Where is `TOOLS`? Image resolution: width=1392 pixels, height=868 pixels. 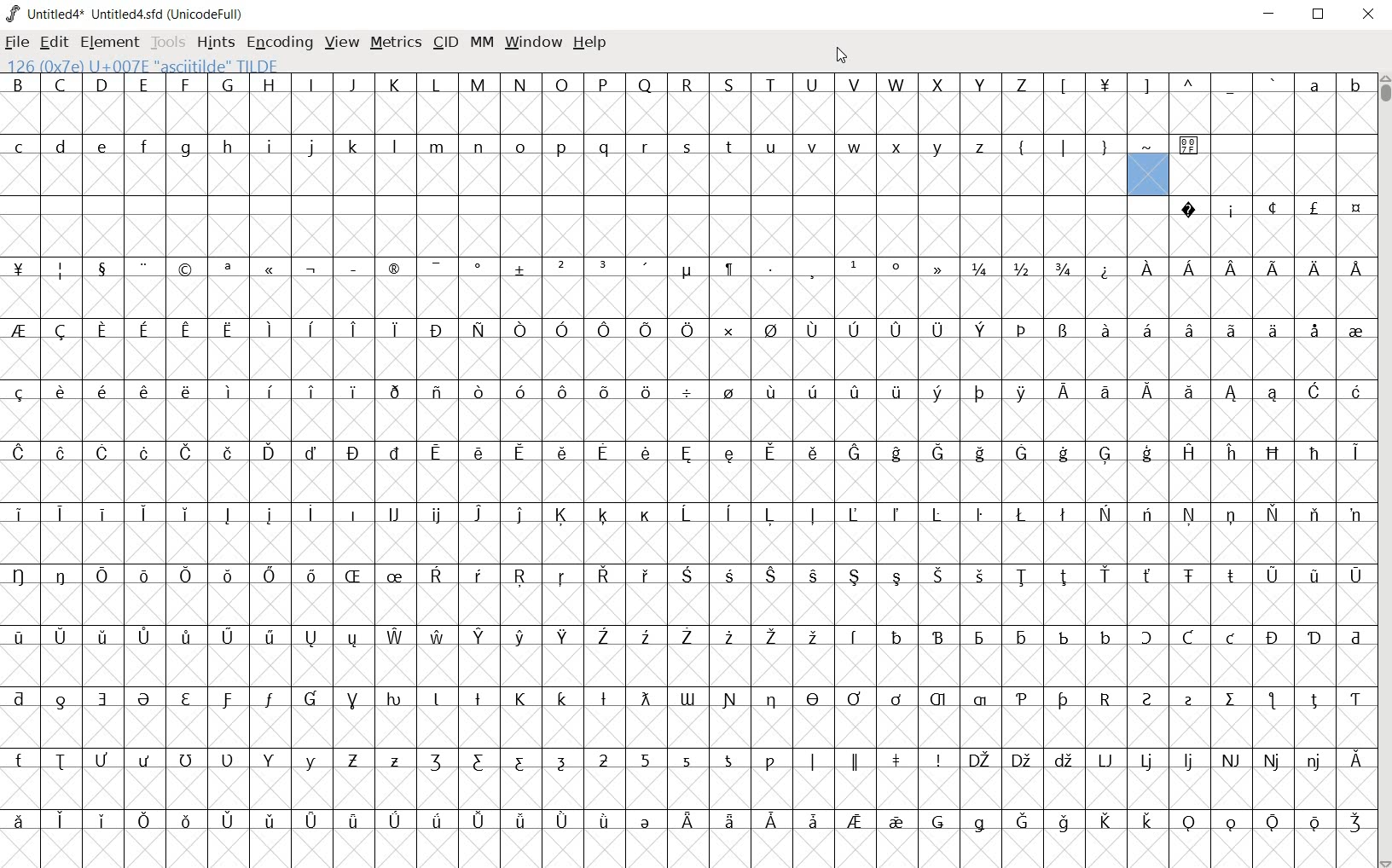
TOOLS is located at coordinates (168, 42).